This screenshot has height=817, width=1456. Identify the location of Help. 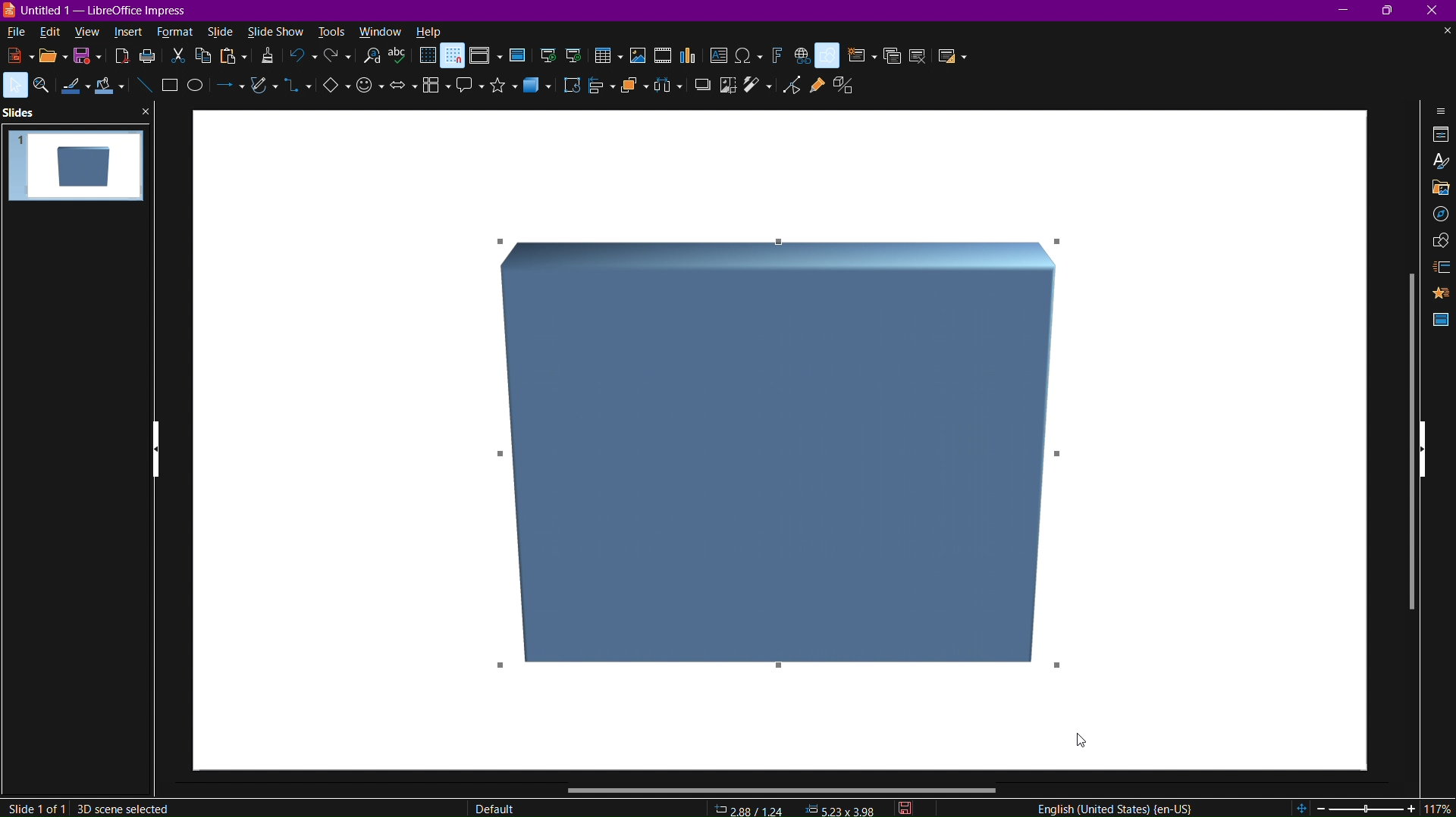
(429, 32).